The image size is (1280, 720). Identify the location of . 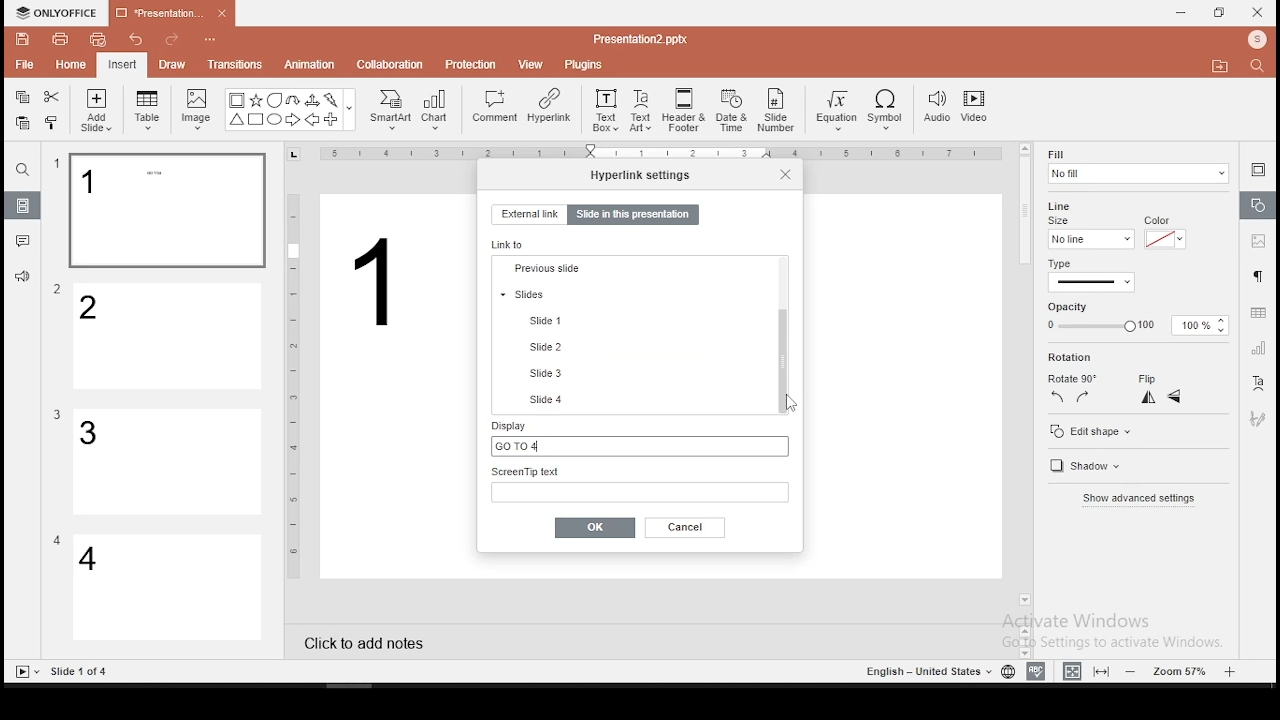
(58, 290).